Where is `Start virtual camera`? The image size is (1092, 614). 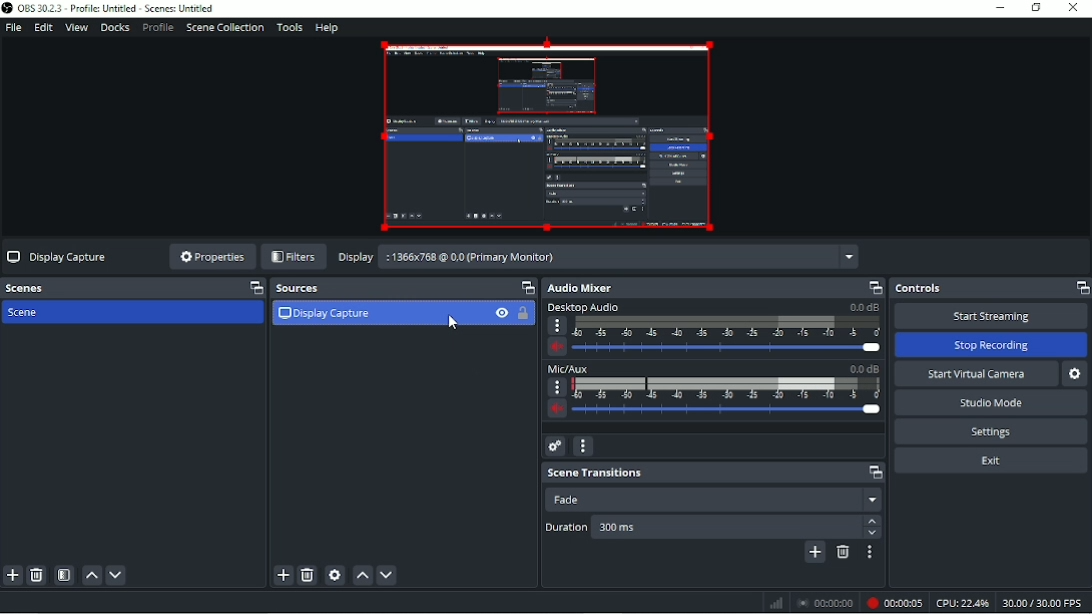
Start virtual camera is located at coordinates (976, 373).